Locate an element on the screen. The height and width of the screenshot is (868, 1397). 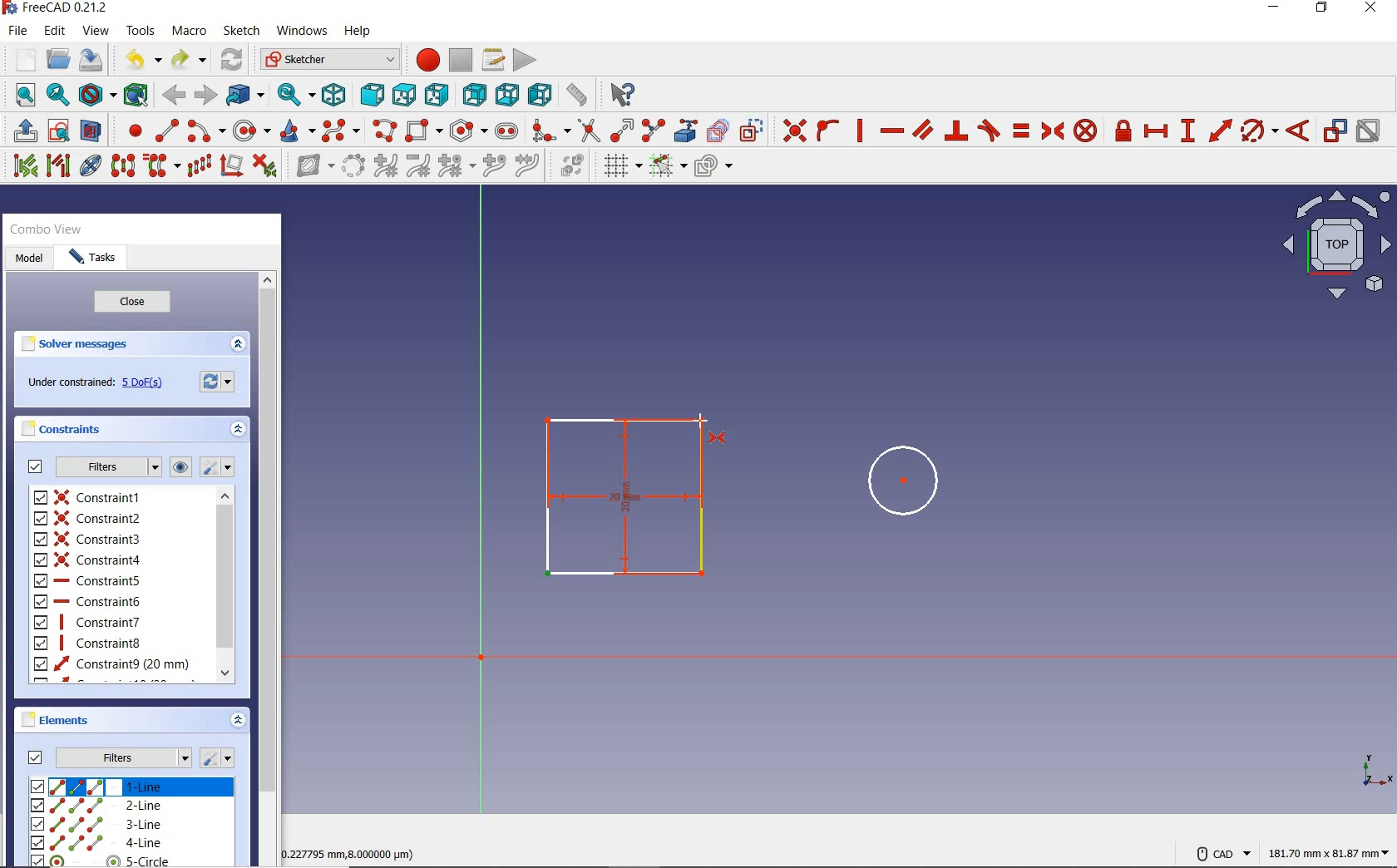
Scroll down is located at coordinates (225, 669).